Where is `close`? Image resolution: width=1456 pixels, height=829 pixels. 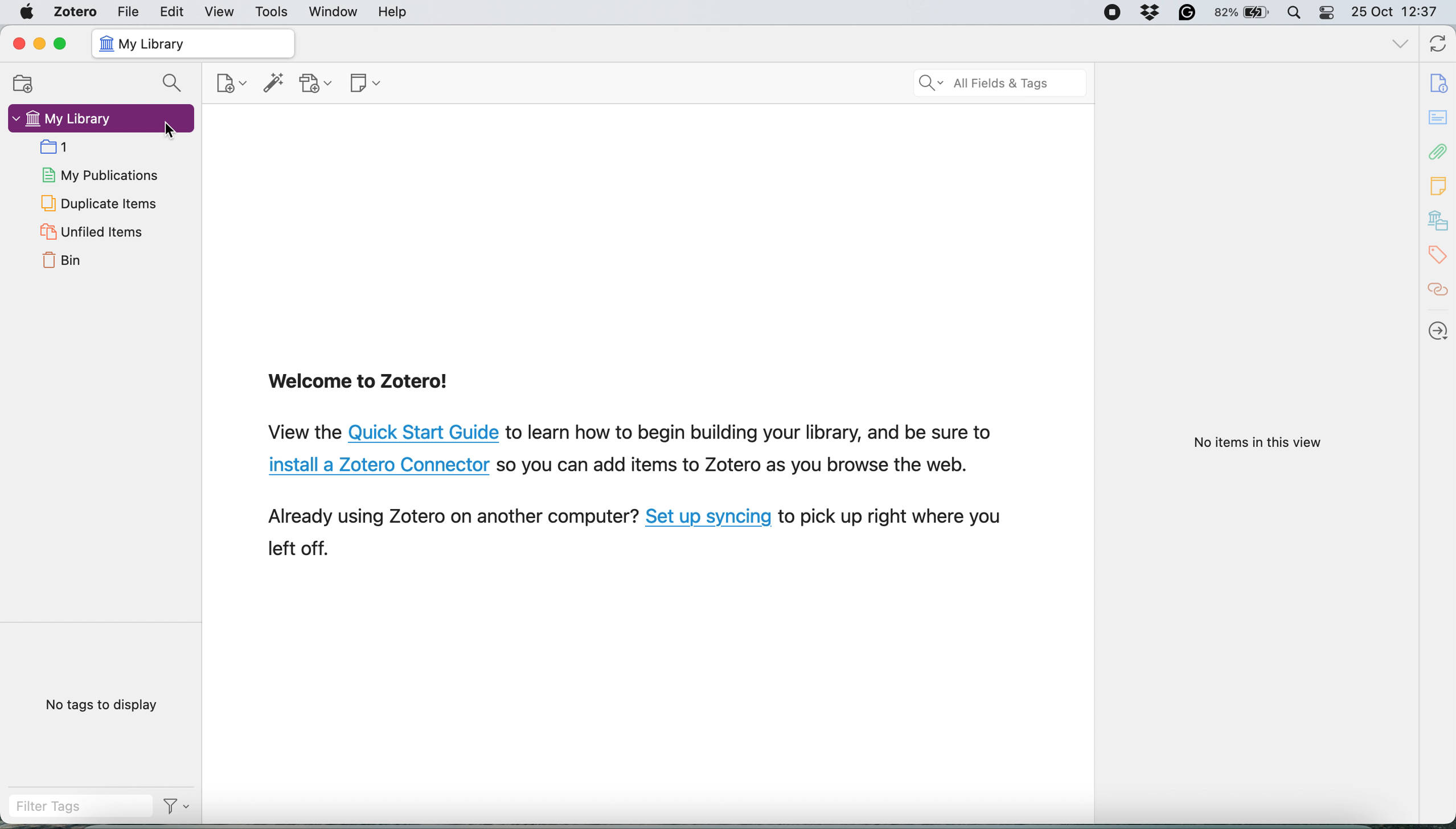
close is located at coordinates (17, 44).